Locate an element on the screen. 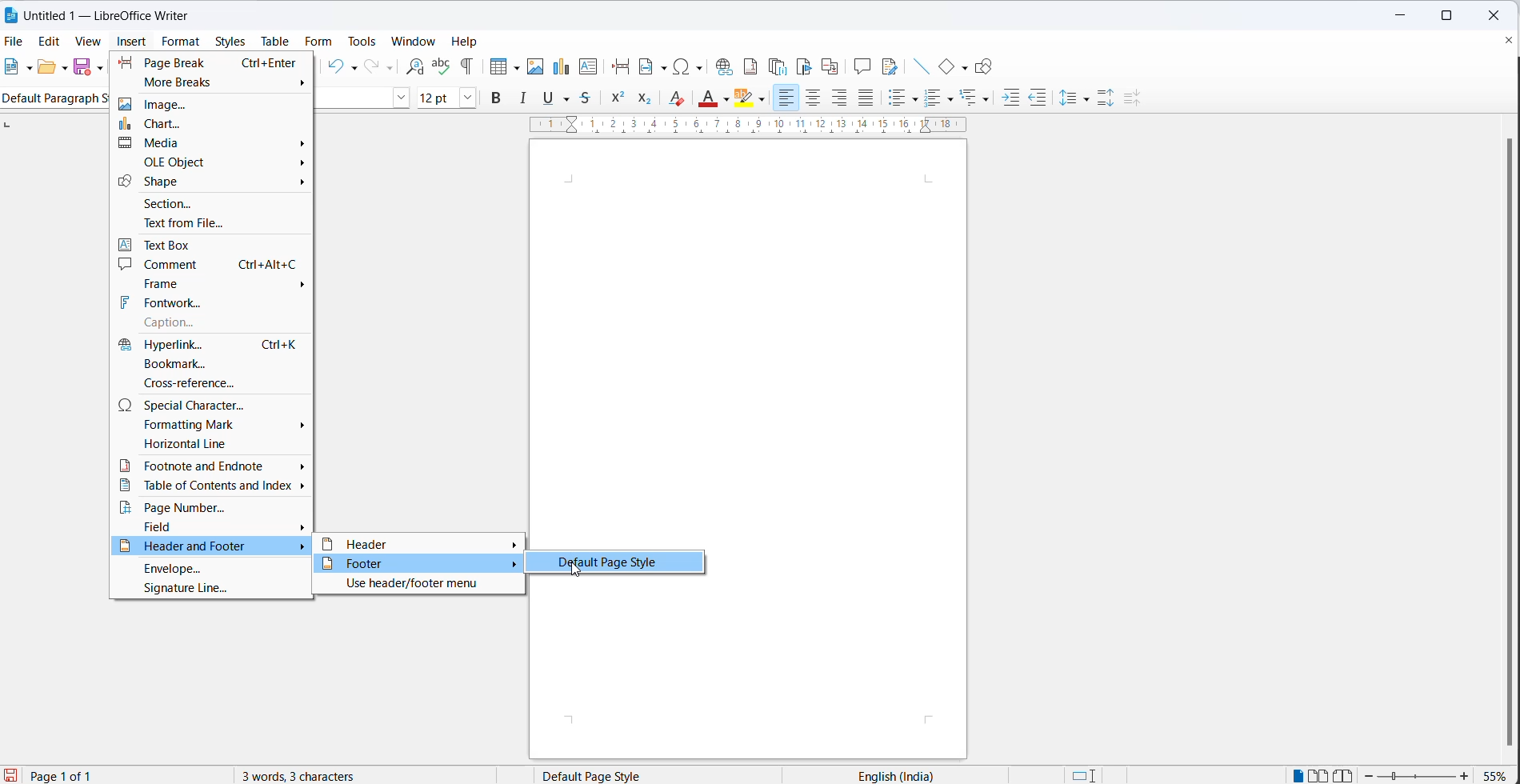 The width and height of the screenshot is (1520, 784). insert cell is located at coordinates (495, 66).